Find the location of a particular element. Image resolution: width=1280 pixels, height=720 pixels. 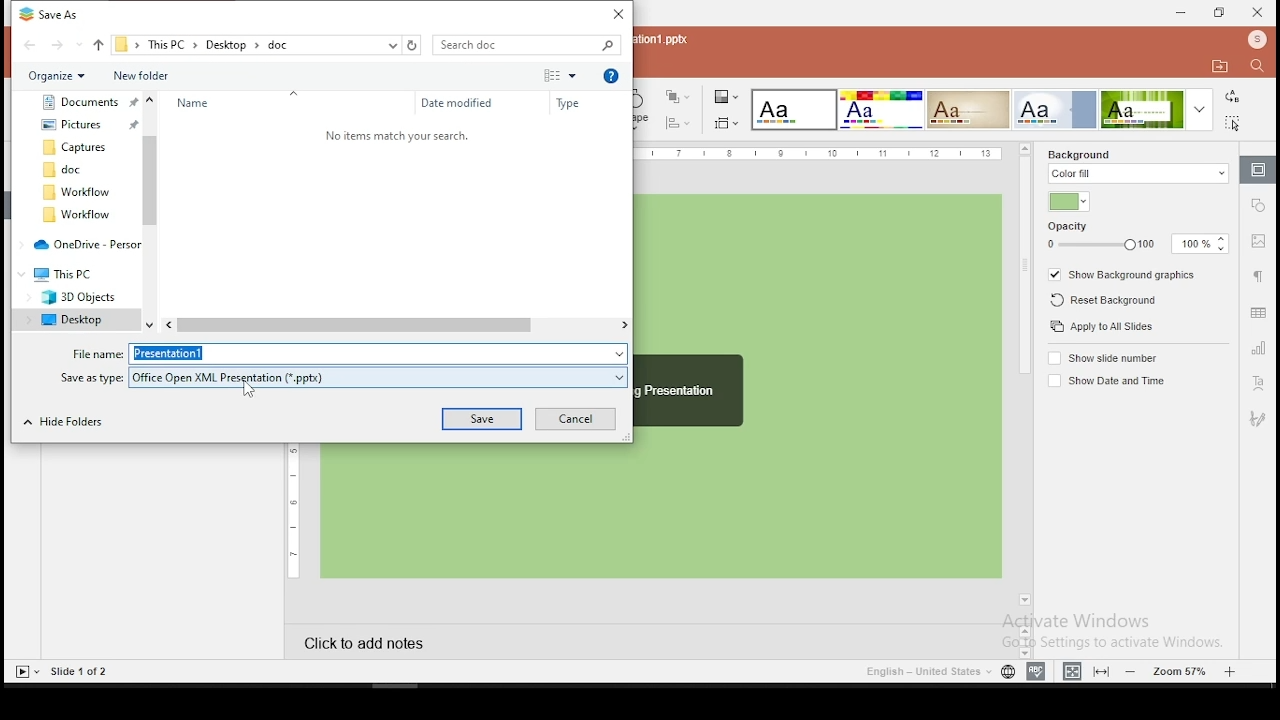

Hide Folders is located at coordinates (72, 423).